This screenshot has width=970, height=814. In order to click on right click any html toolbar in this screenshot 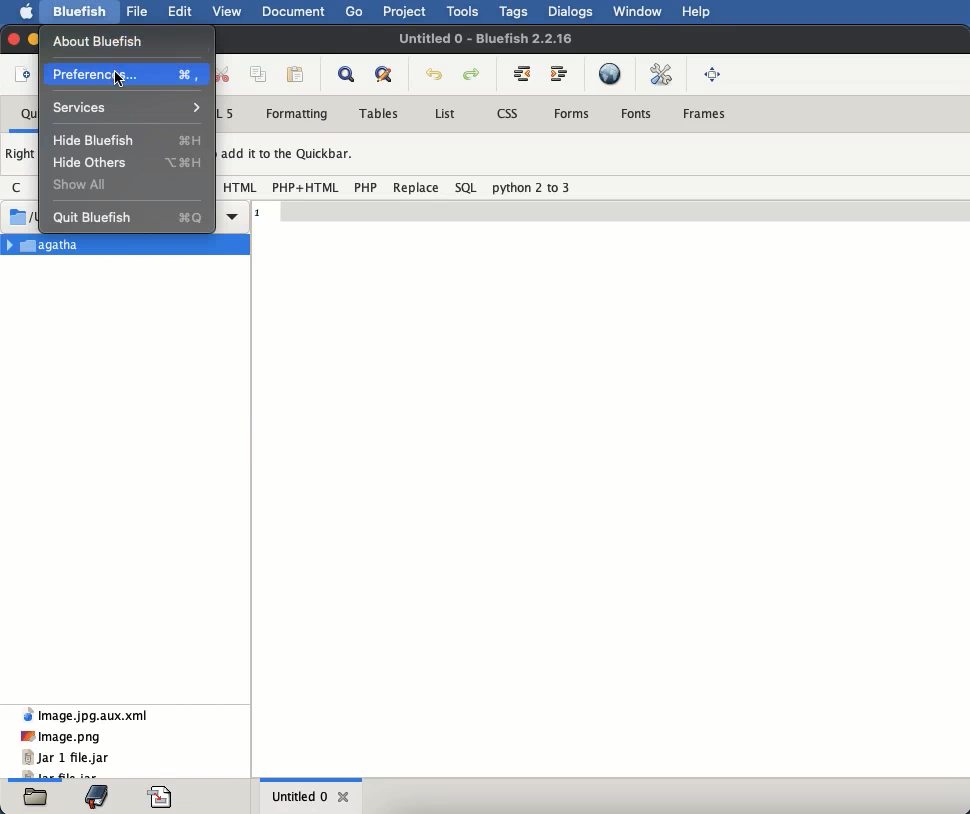, I will do `click(22, 155)`.